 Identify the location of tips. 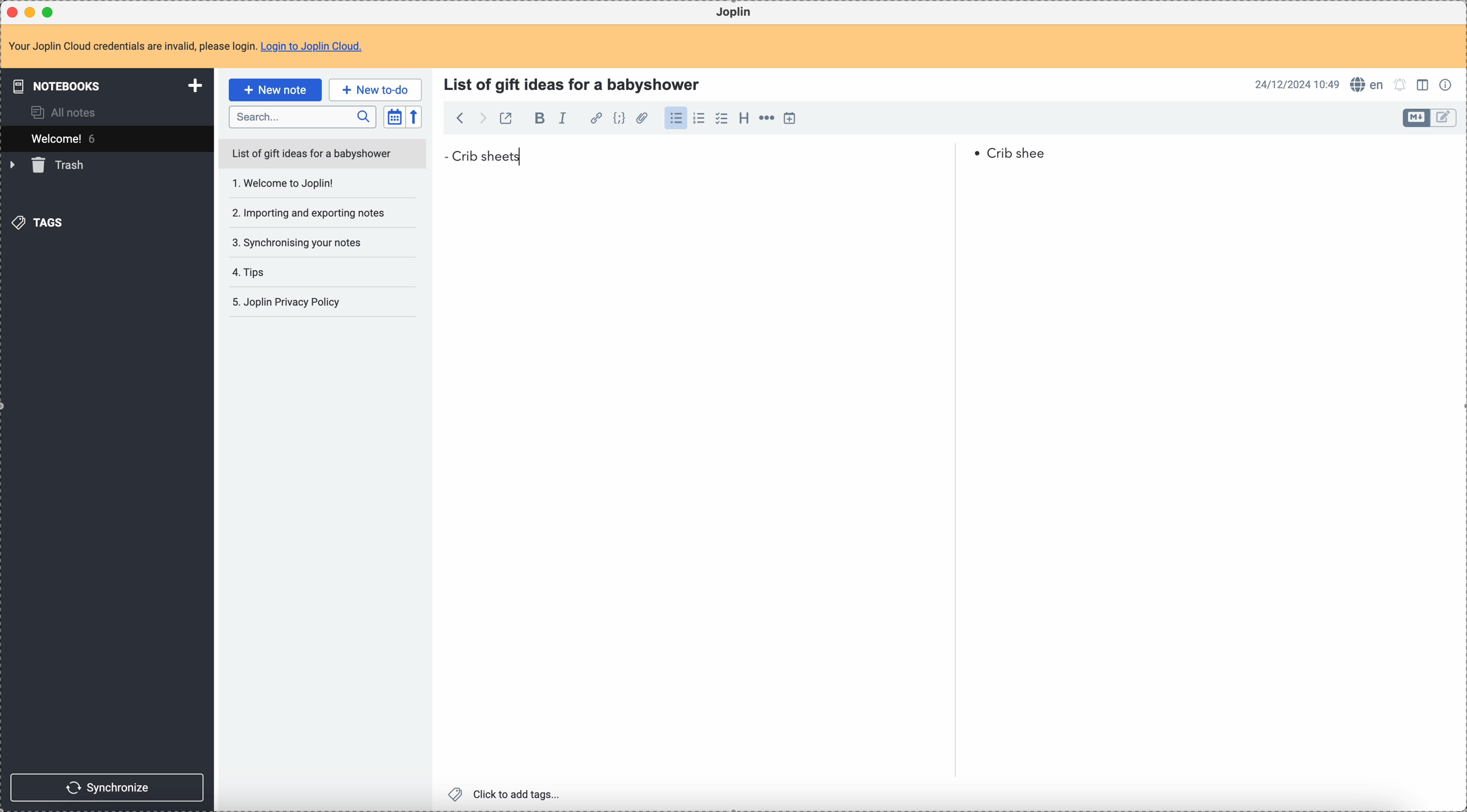
(284, 272).